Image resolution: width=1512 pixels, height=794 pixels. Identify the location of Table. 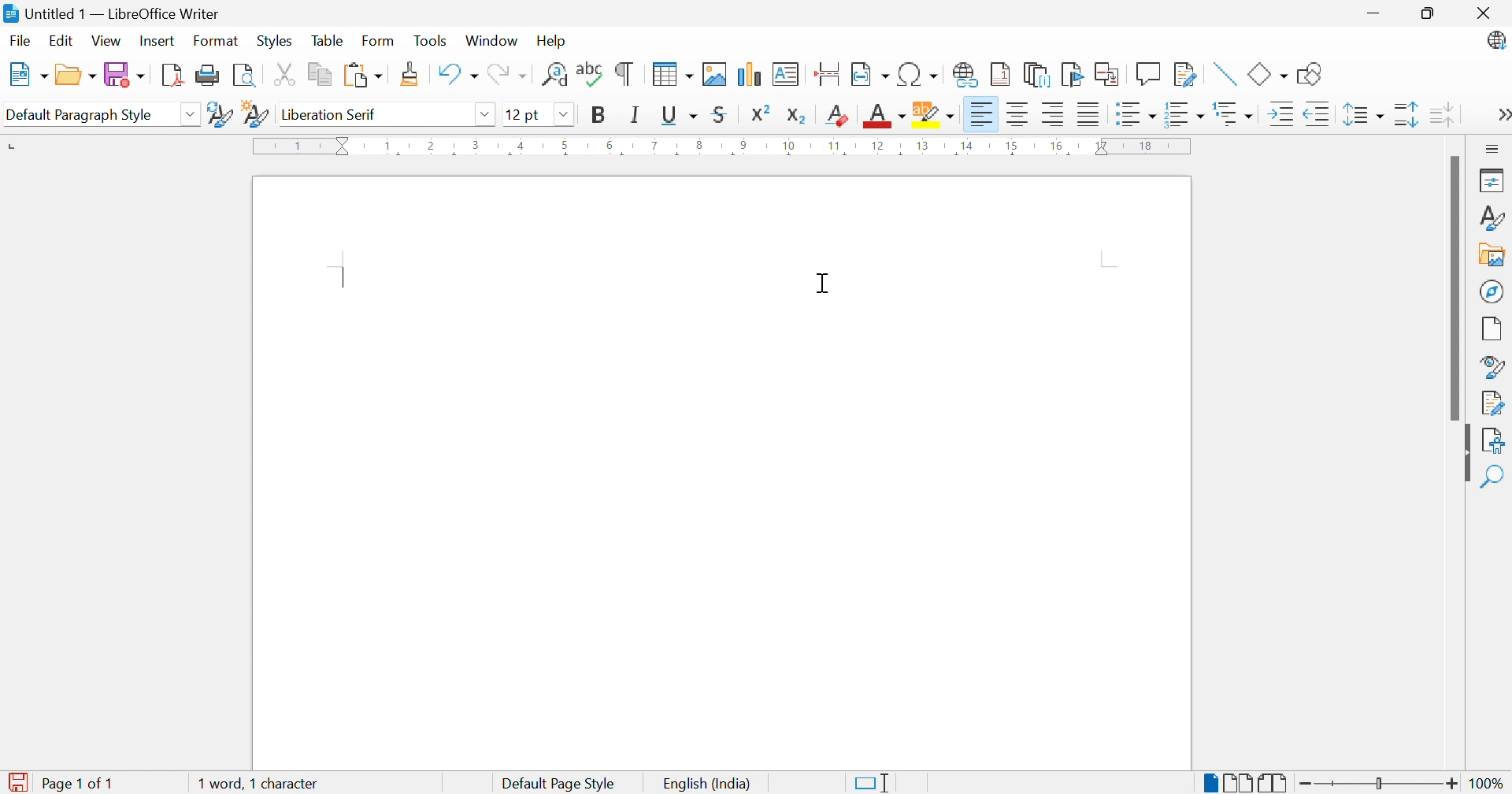
(328, 41).